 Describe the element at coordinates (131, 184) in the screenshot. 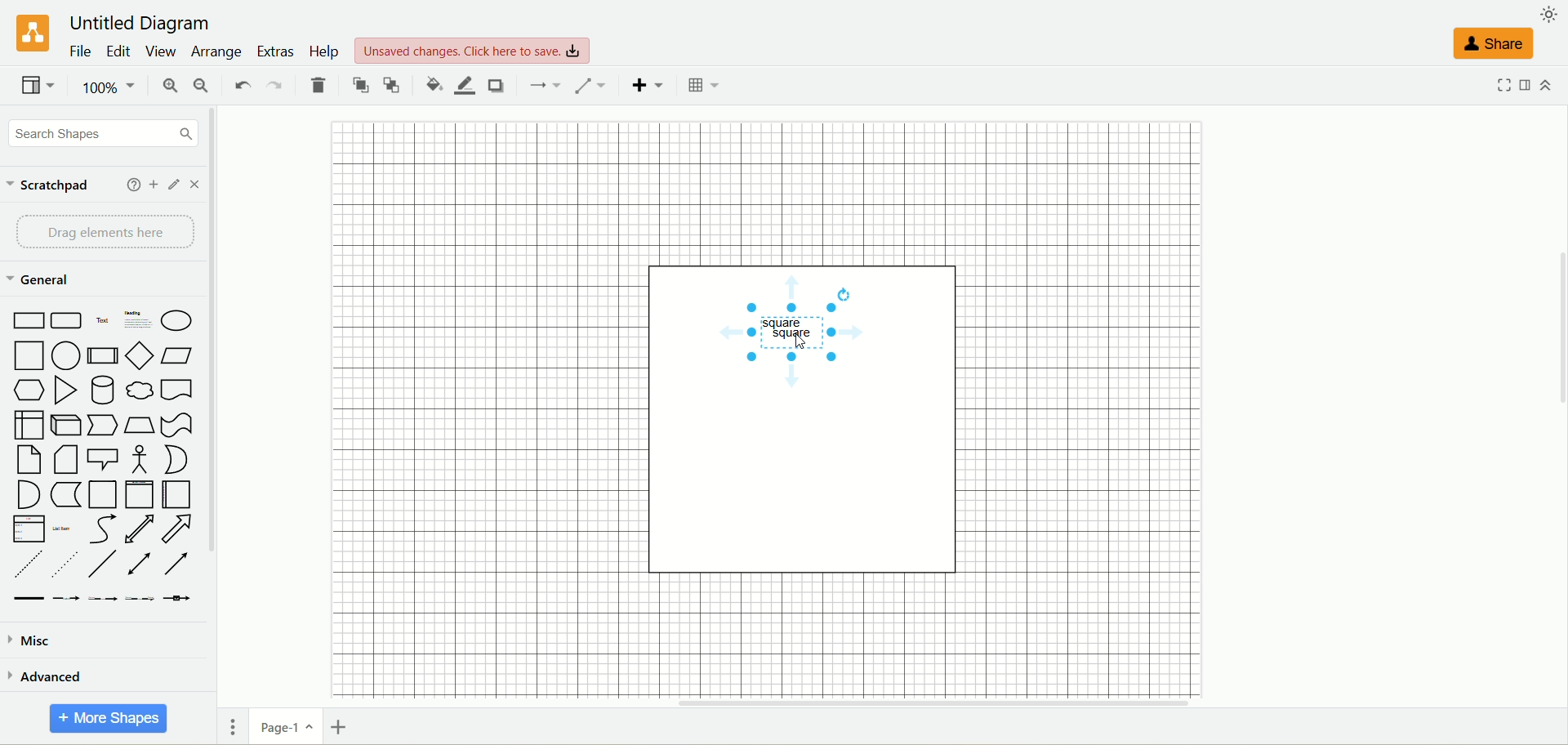

I see `help` at that location.